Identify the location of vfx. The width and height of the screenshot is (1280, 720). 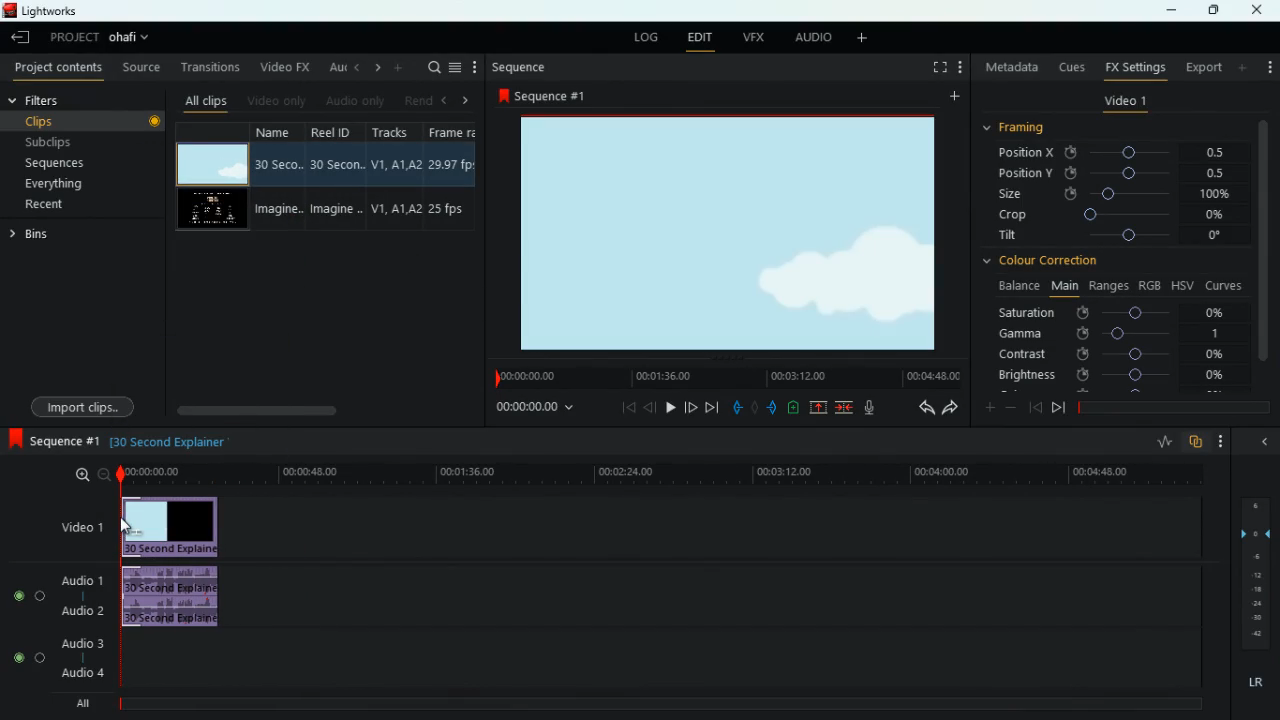
(750, 38).